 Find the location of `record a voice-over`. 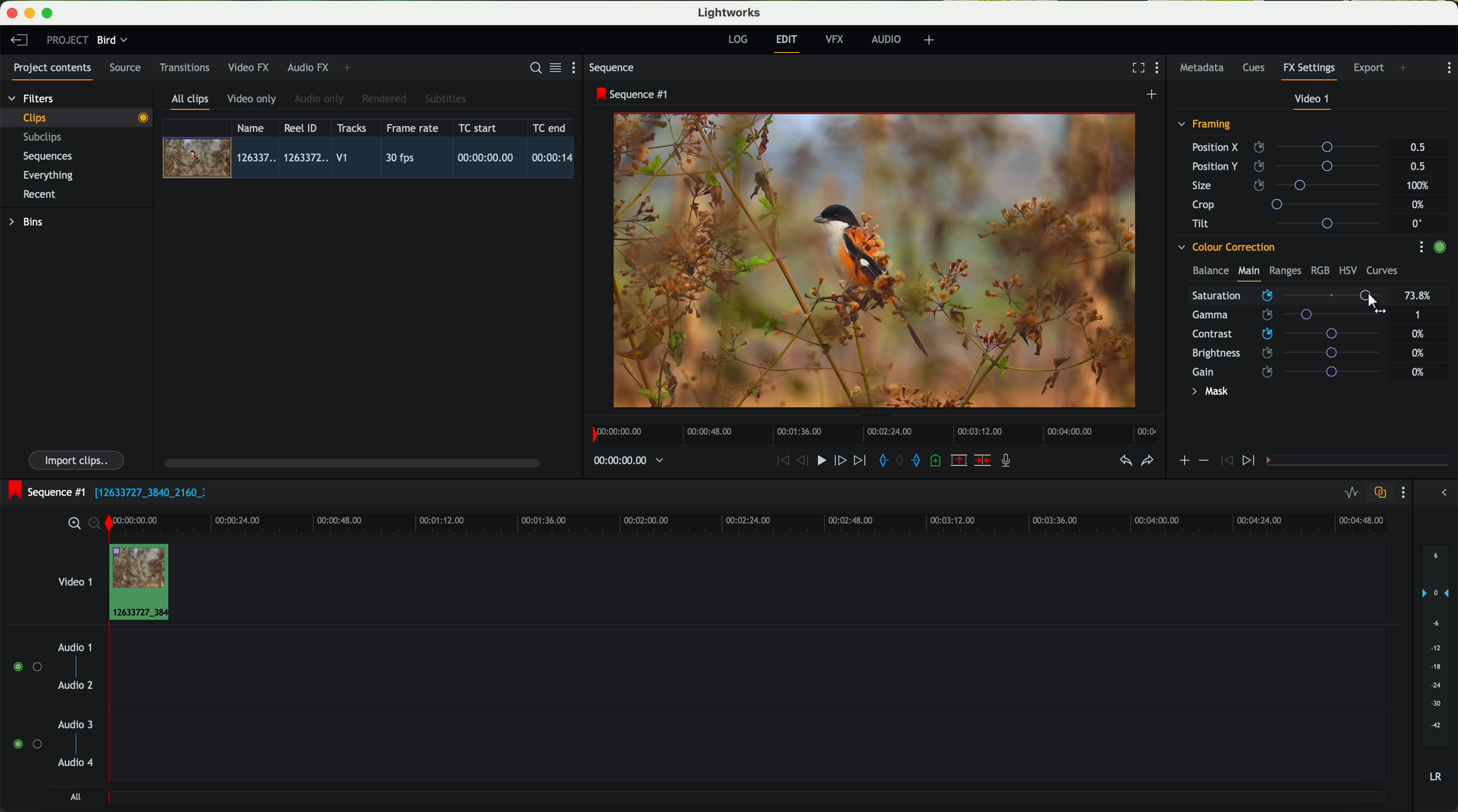

record a voice-over is located at coordinates (1010, 462).